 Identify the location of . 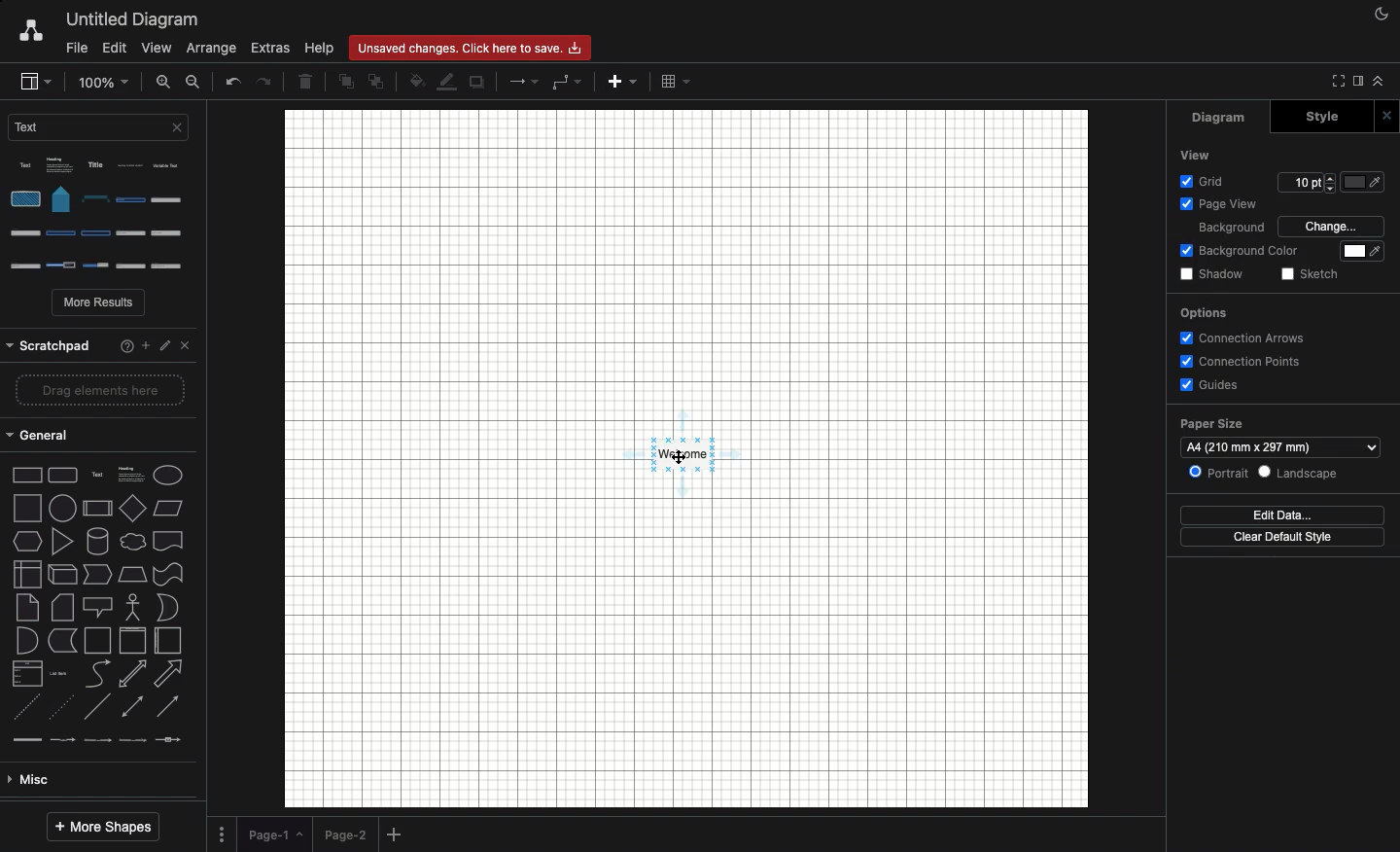
(1217, 476).